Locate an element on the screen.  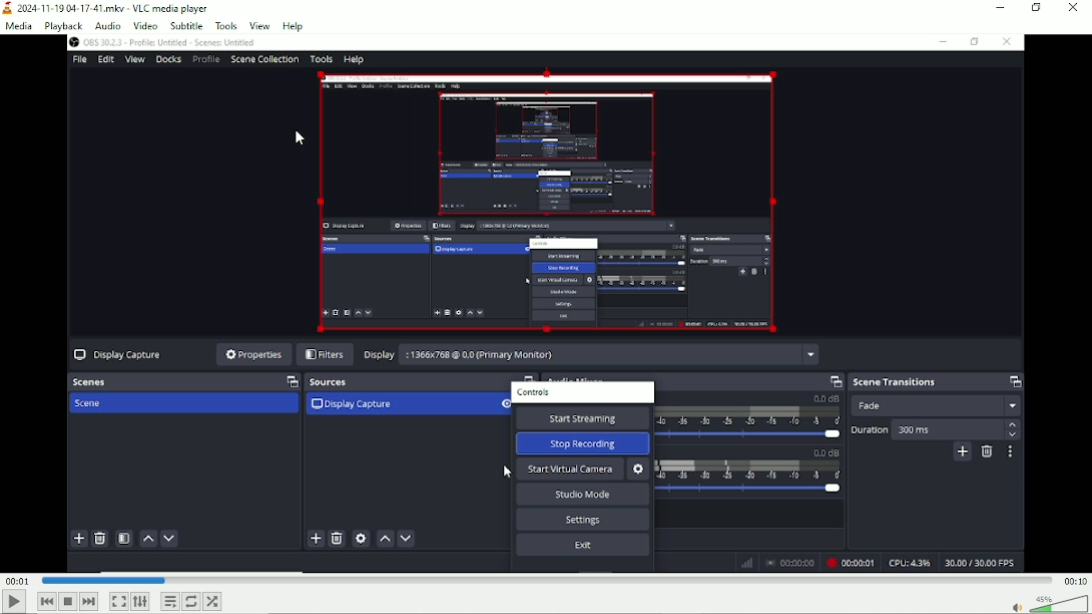
Video is located at coordinates (547, 304).